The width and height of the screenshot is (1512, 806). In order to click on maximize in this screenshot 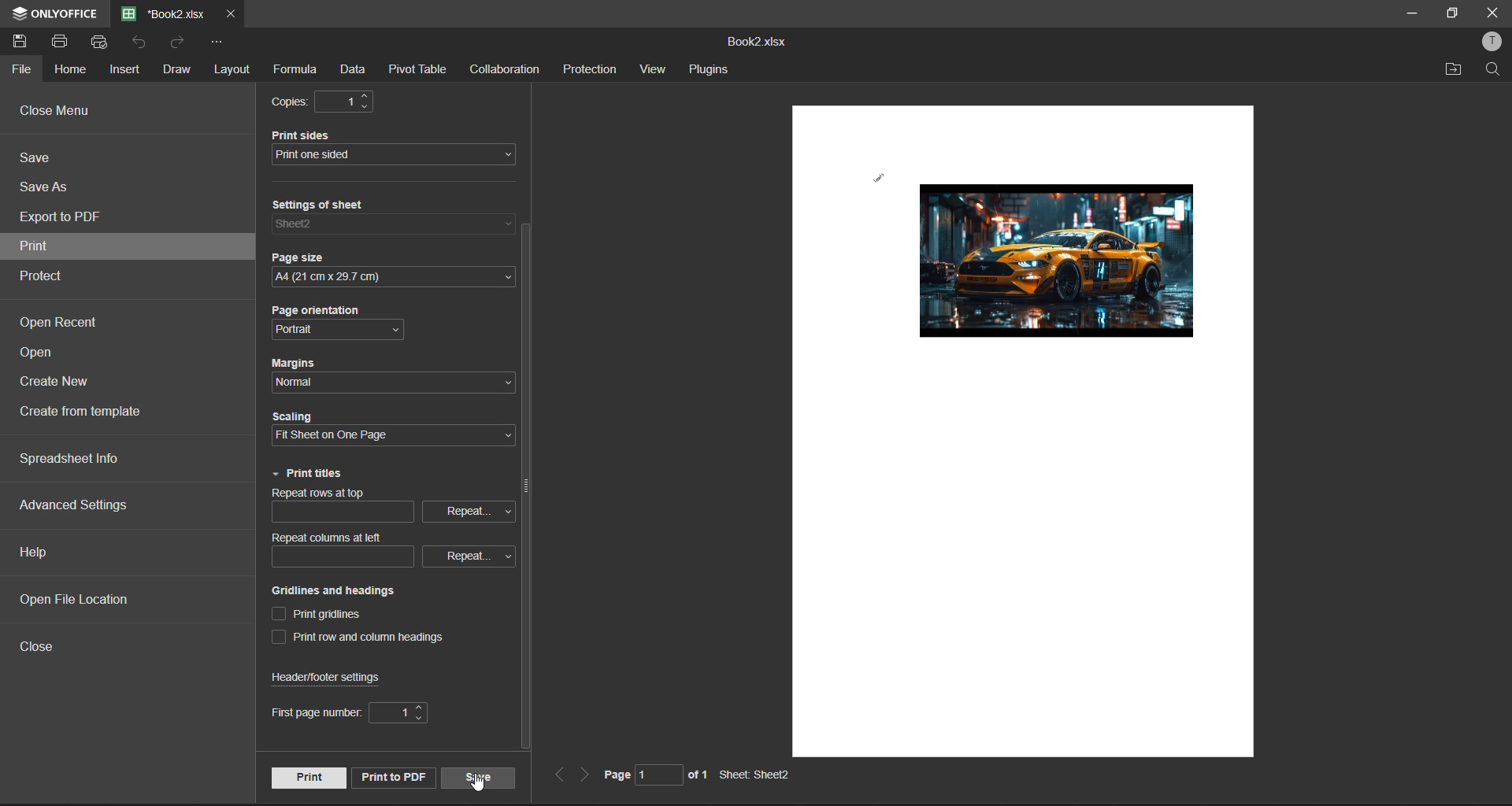, I will do `click(1450, 14)`.